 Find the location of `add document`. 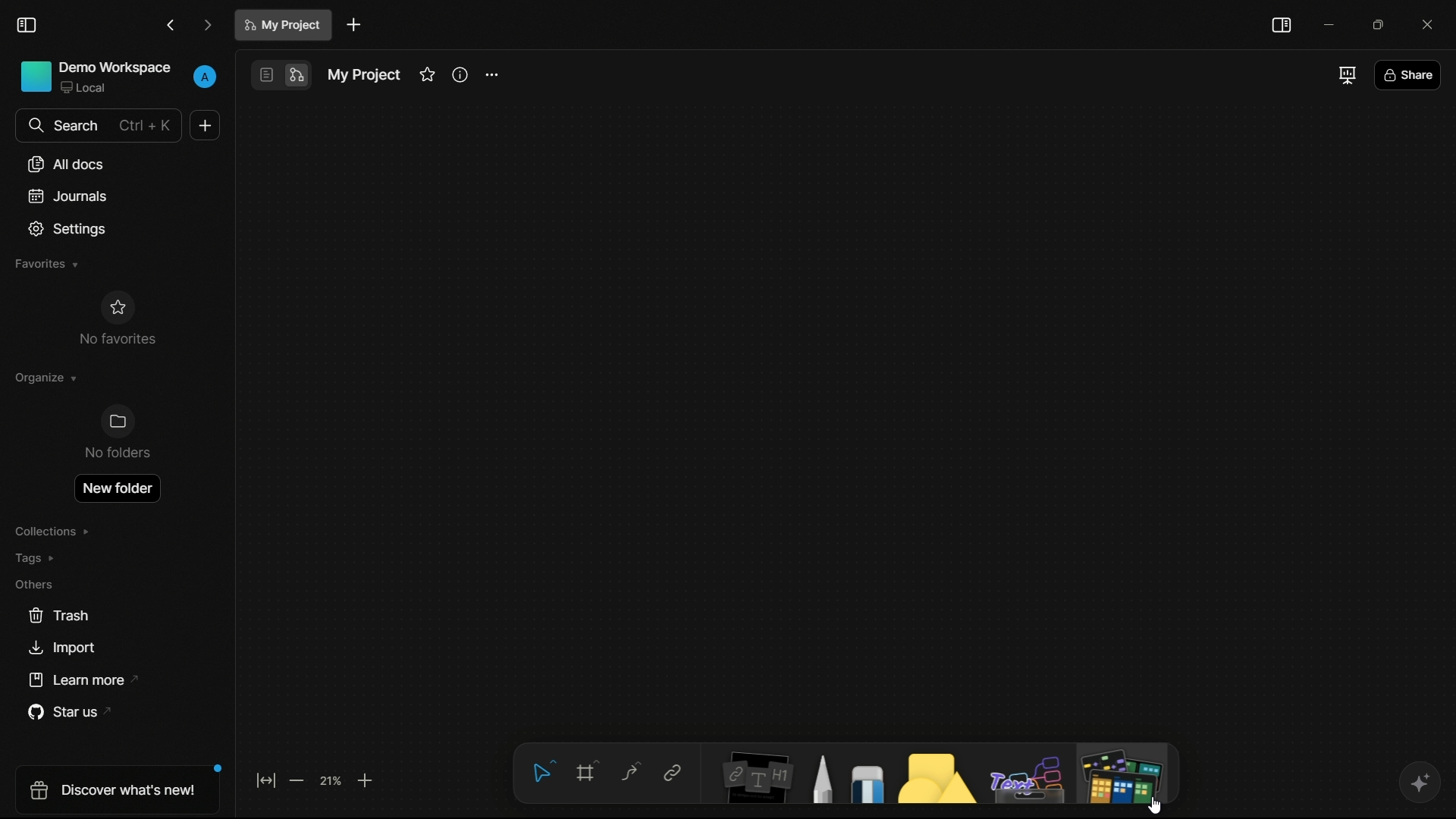

add document is located at coordinates (353, 24).